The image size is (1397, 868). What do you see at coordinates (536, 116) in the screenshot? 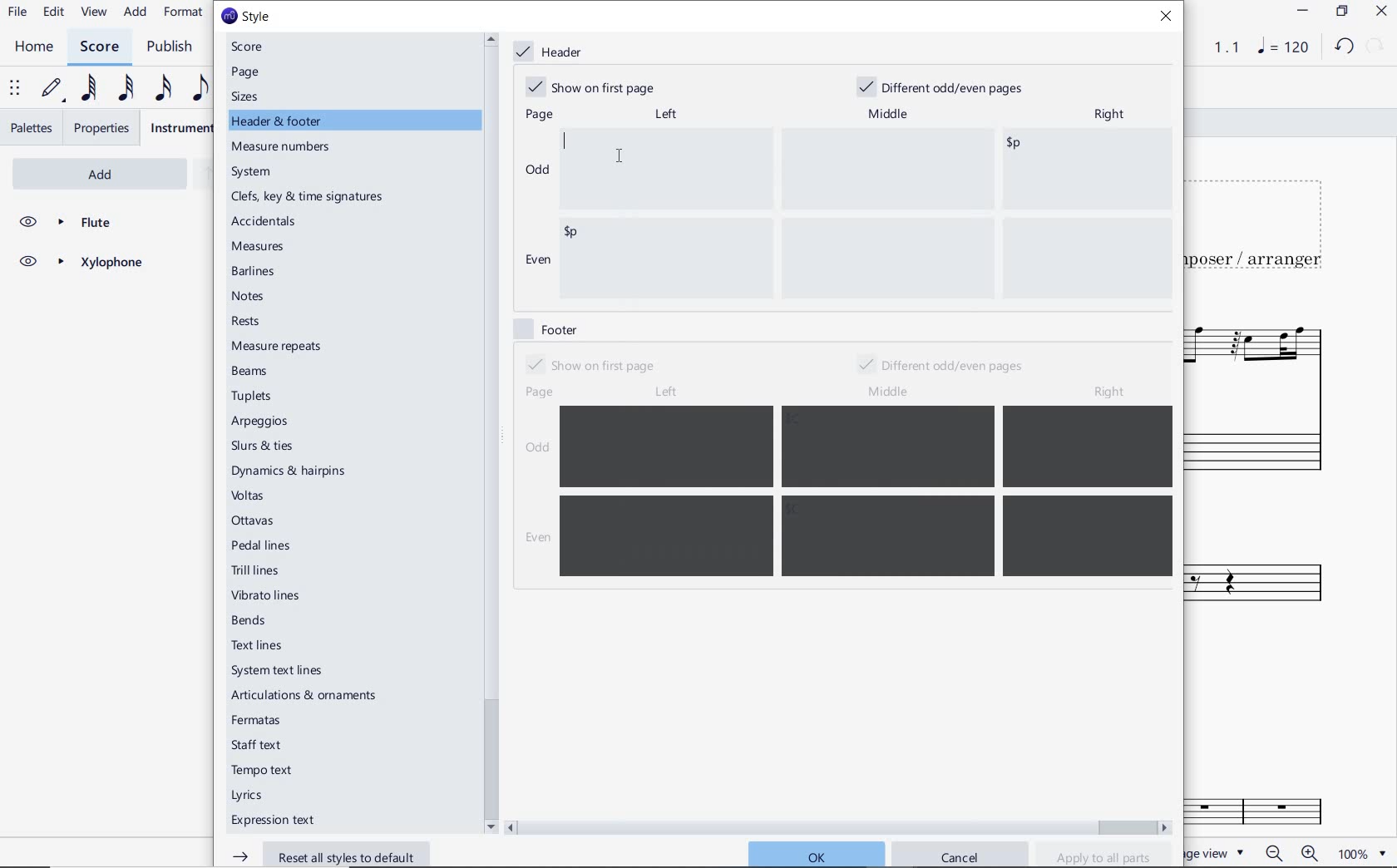
I see `page` at bounding box center [536, 116].